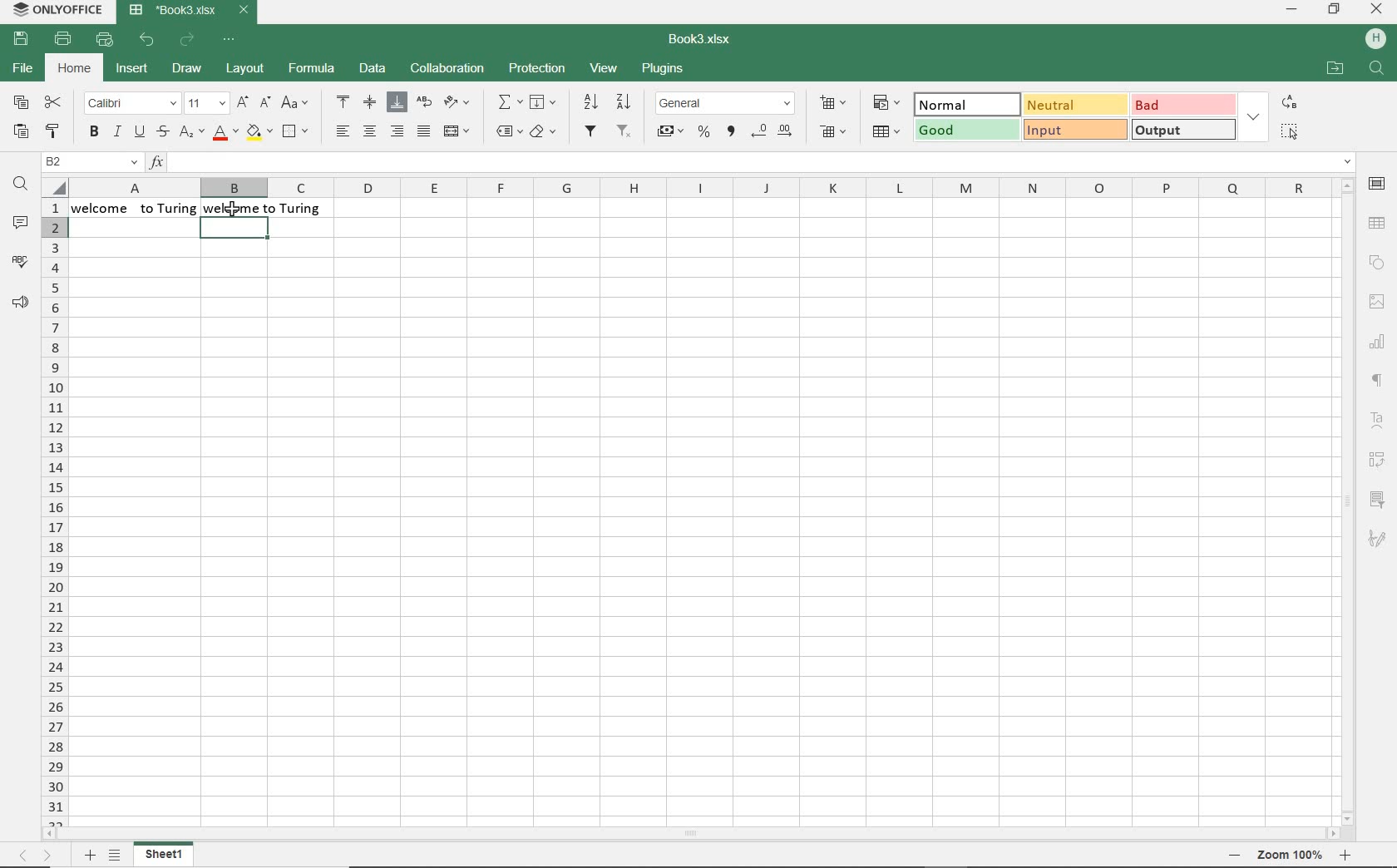  What do you see at coordinates (691, 834) in the screenshot?
I see `scrollbar` at bounding box center [691, 834].